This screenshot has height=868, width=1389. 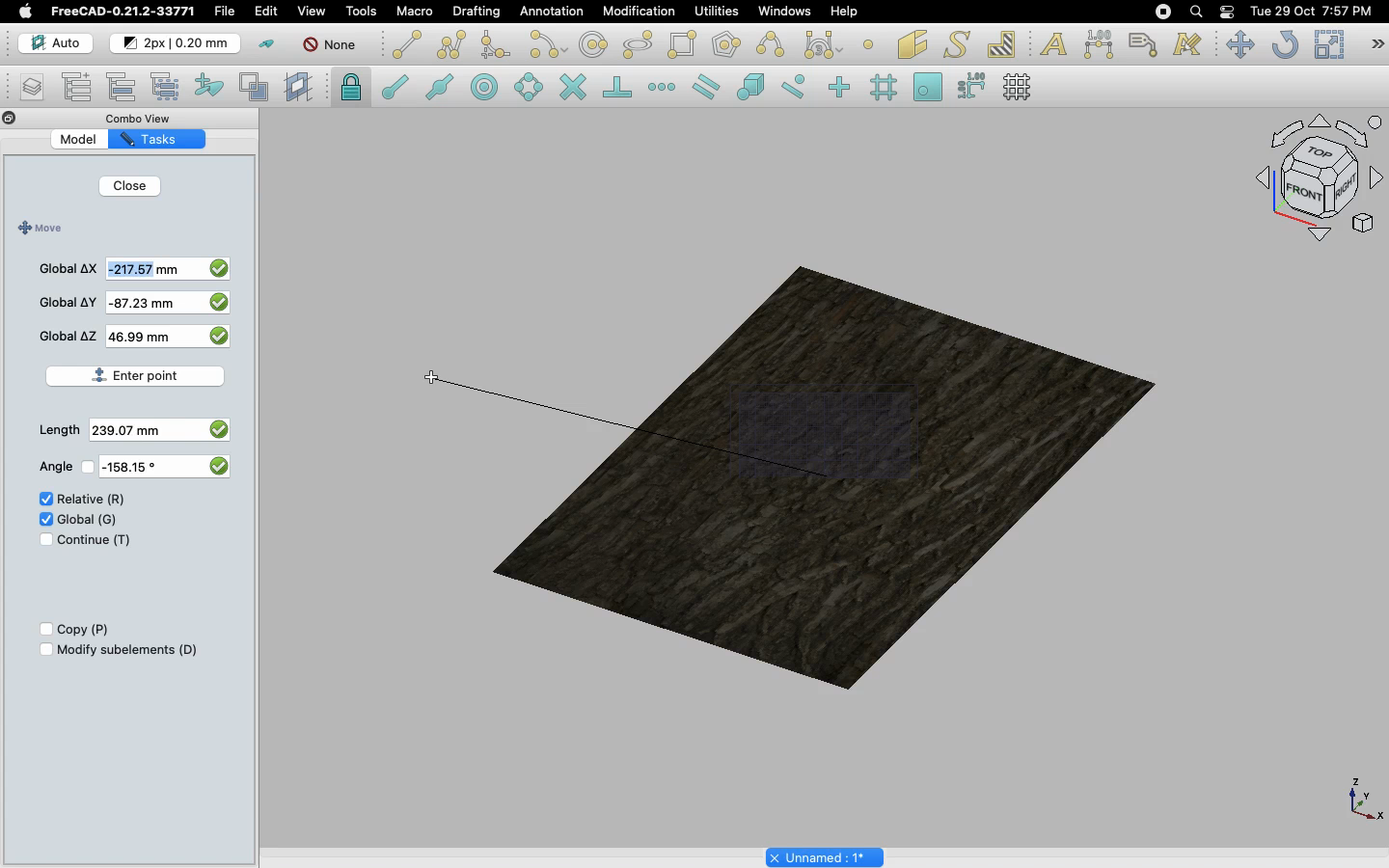 What do you see at coordinates (664, 88) in the screenshot?
I see `Snap extension` at bounding box center [664, 88].